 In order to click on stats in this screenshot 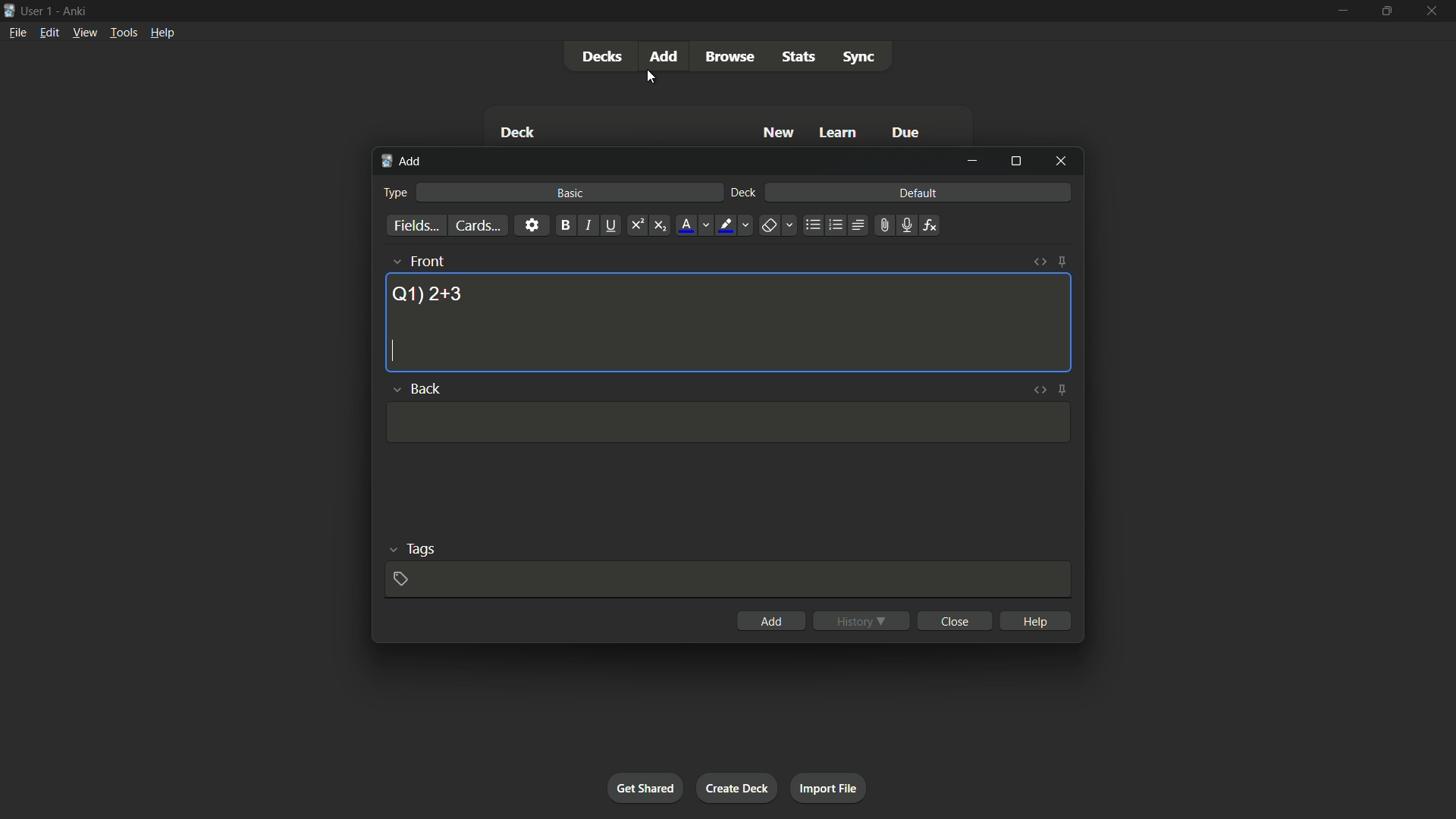, I will do `click(800, 57)`.